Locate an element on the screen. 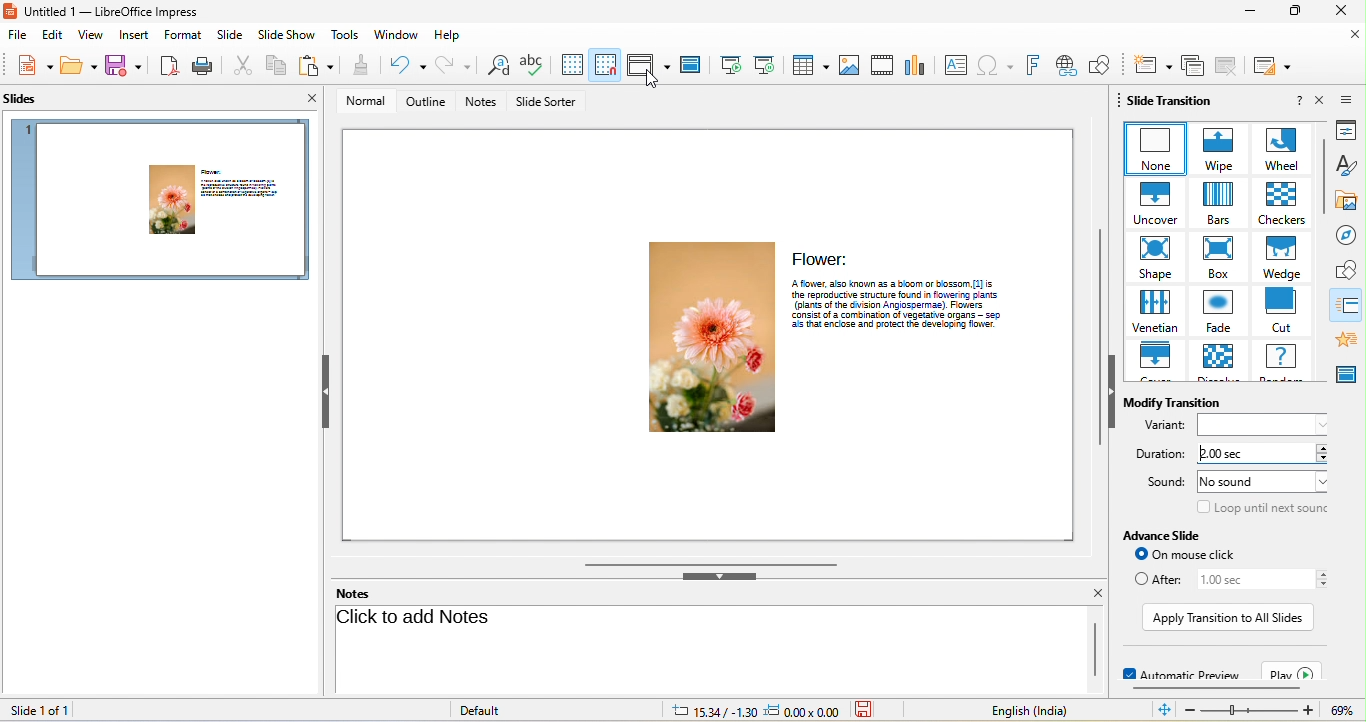 The width and height of the screenshot is (1366, 722). horizontal scroll bar is located at coordinates (1216, 687).